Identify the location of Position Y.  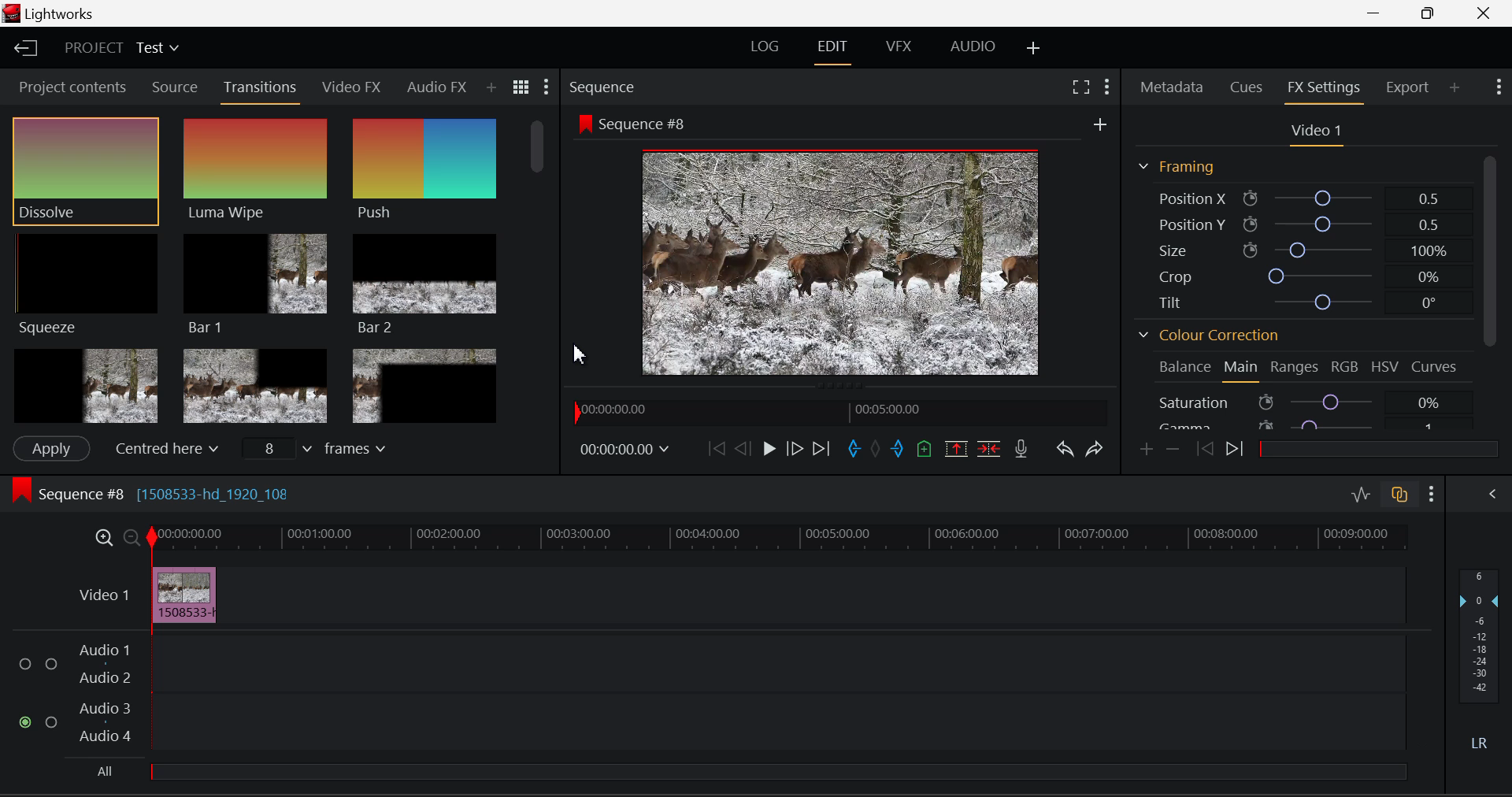
(1300, 223).